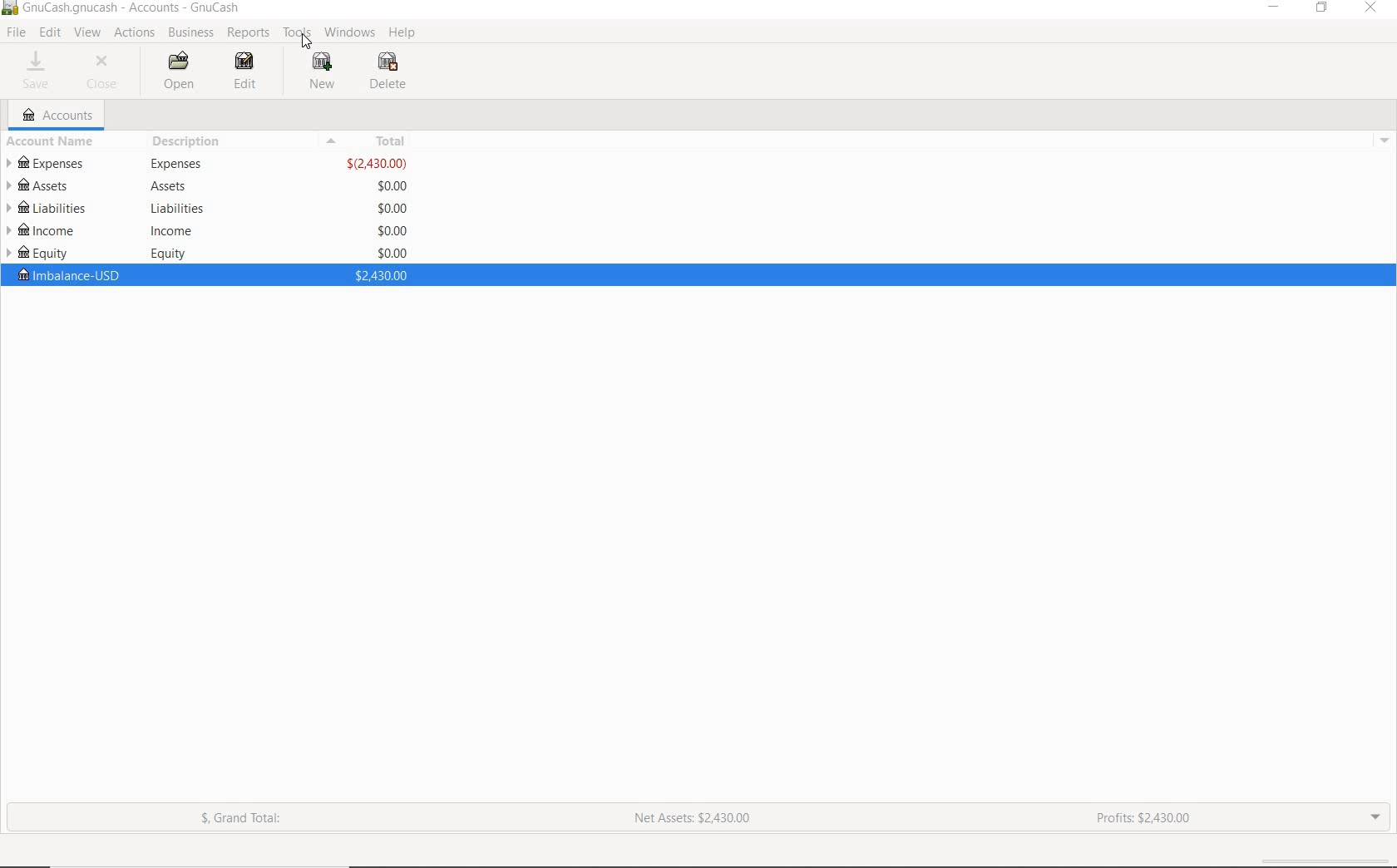 The image size is (1397, 868). I want to click on DELETE, so click(386, 74).